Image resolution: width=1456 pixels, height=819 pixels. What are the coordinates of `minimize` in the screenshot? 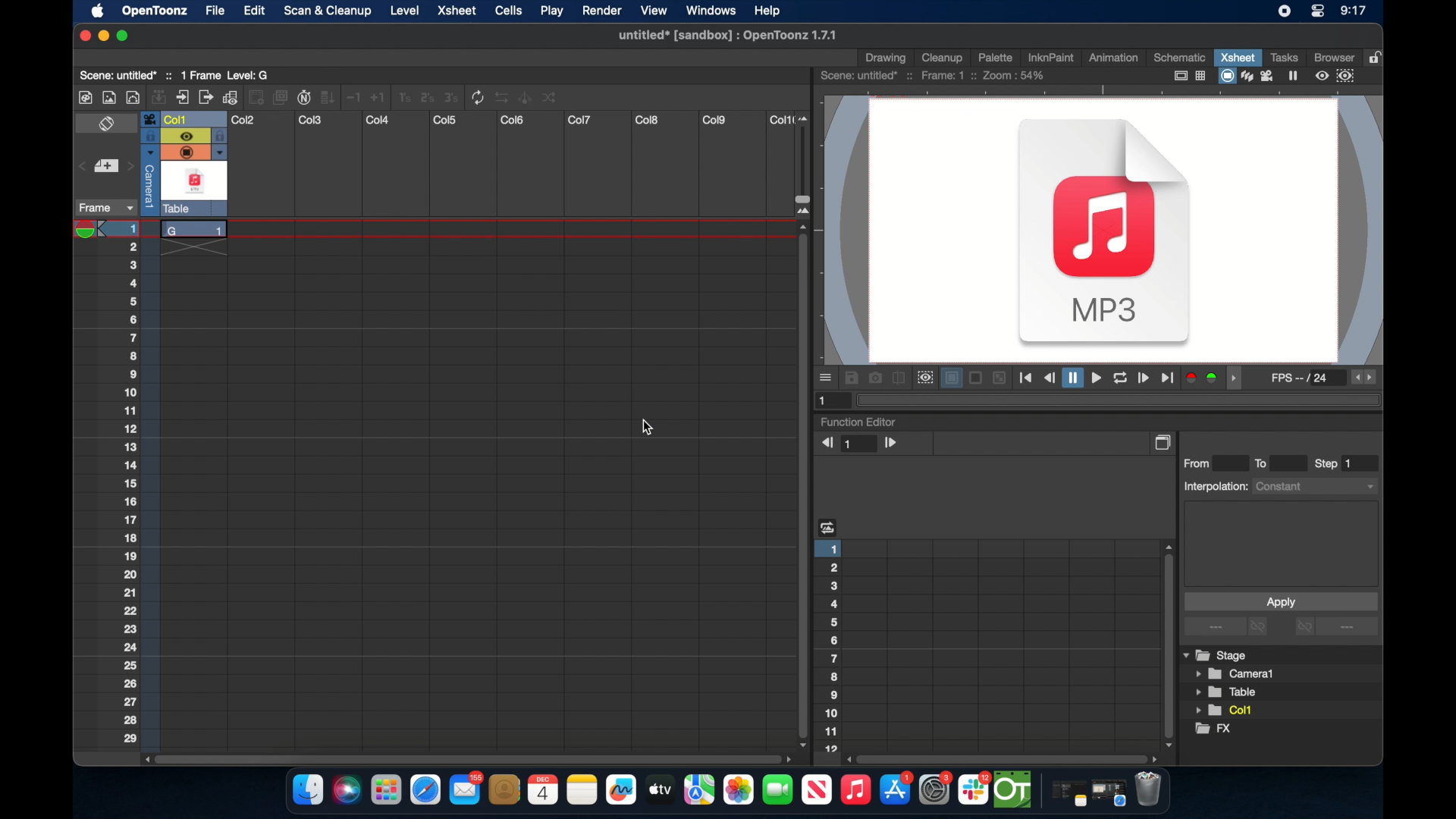 It's located at (102, 36).